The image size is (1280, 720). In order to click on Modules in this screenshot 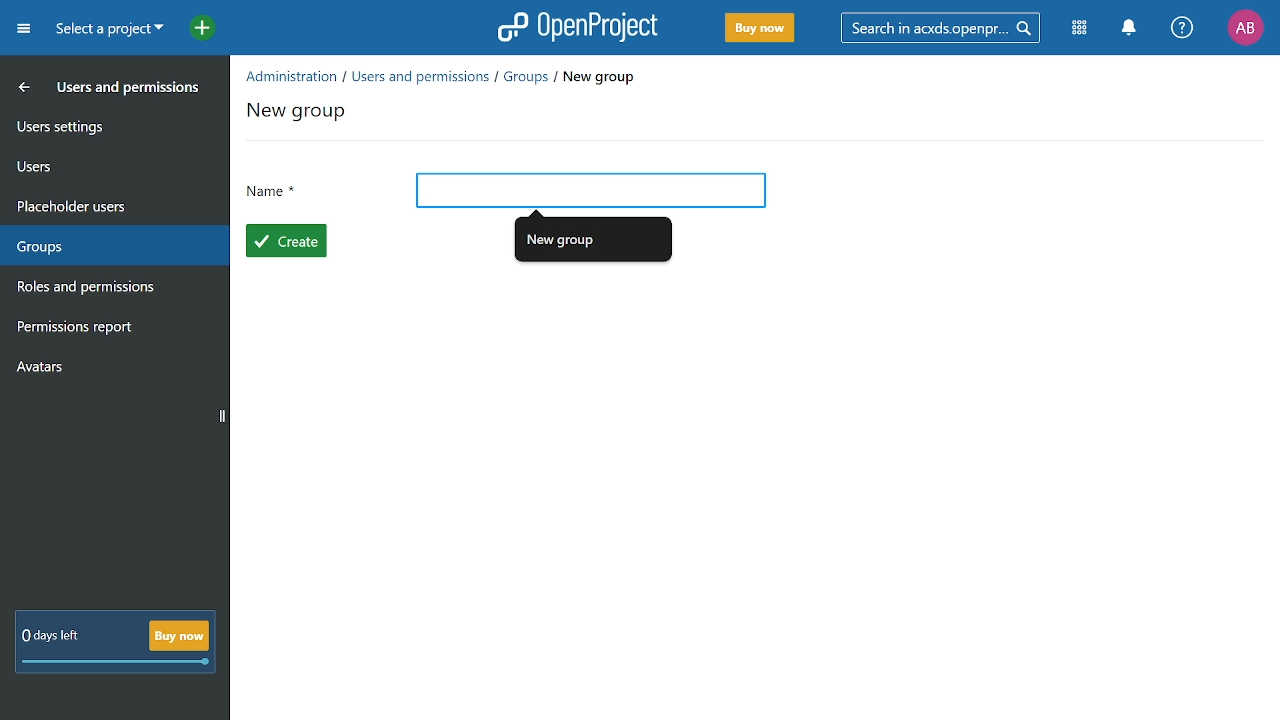, I will do `click(1081, 27)`.